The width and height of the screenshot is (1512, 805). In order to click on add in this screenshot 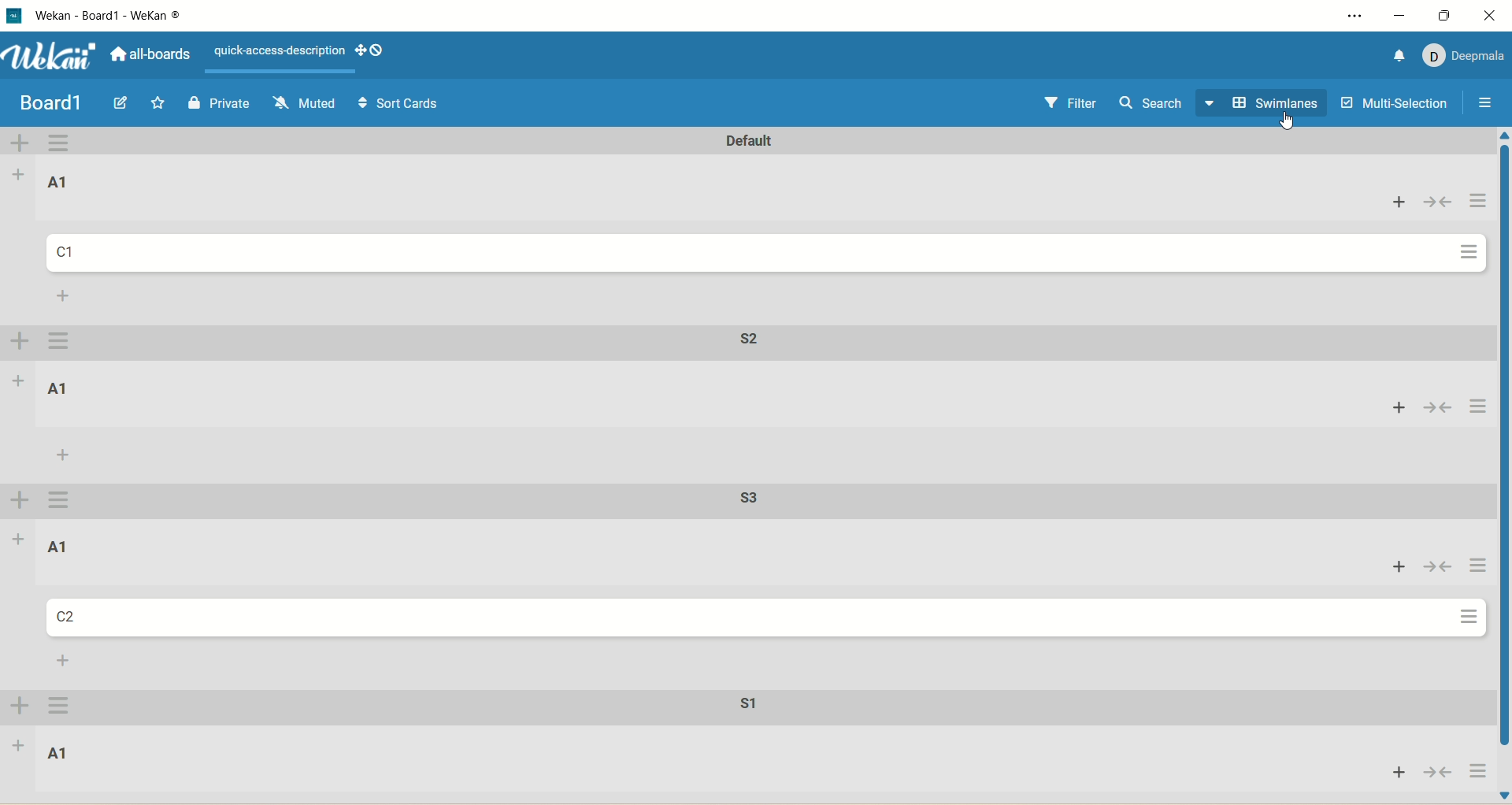, I will do `click(65, 662)`.